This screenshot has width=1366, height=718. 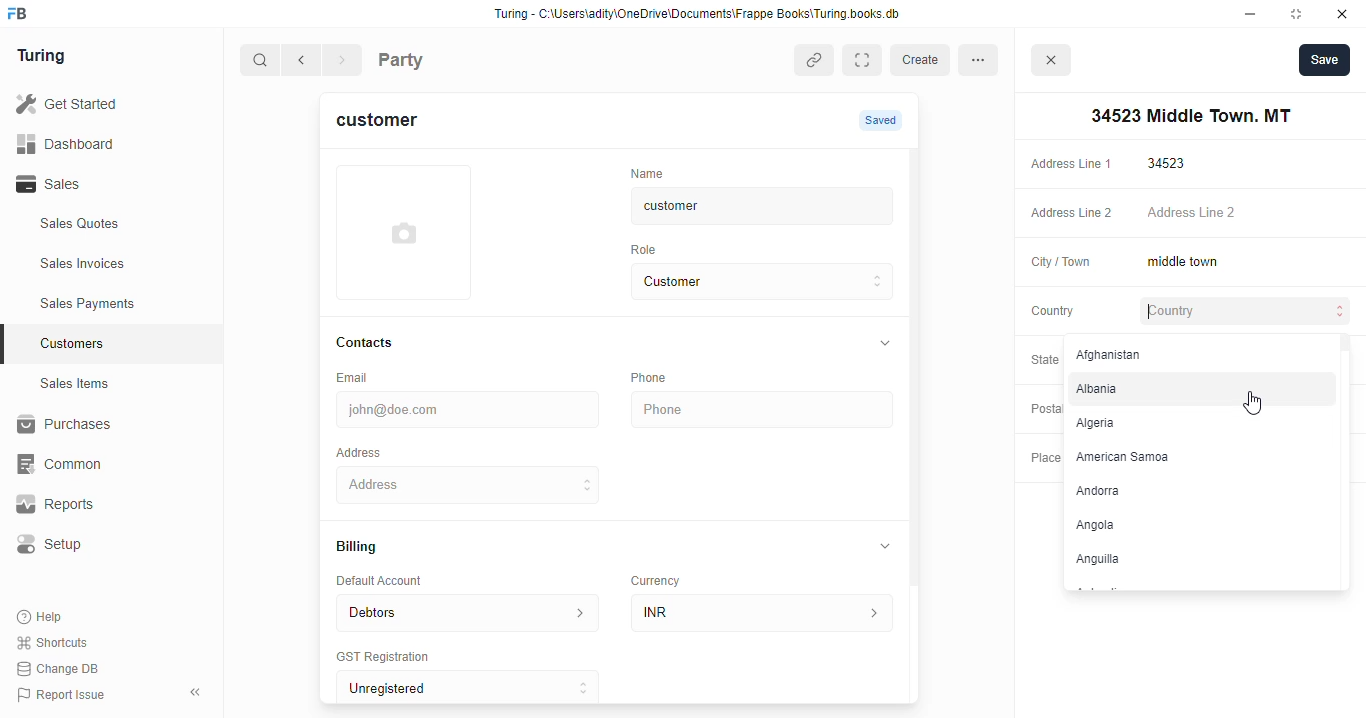 I want to click on ‘GST Registration, so click(x=390, y=658).